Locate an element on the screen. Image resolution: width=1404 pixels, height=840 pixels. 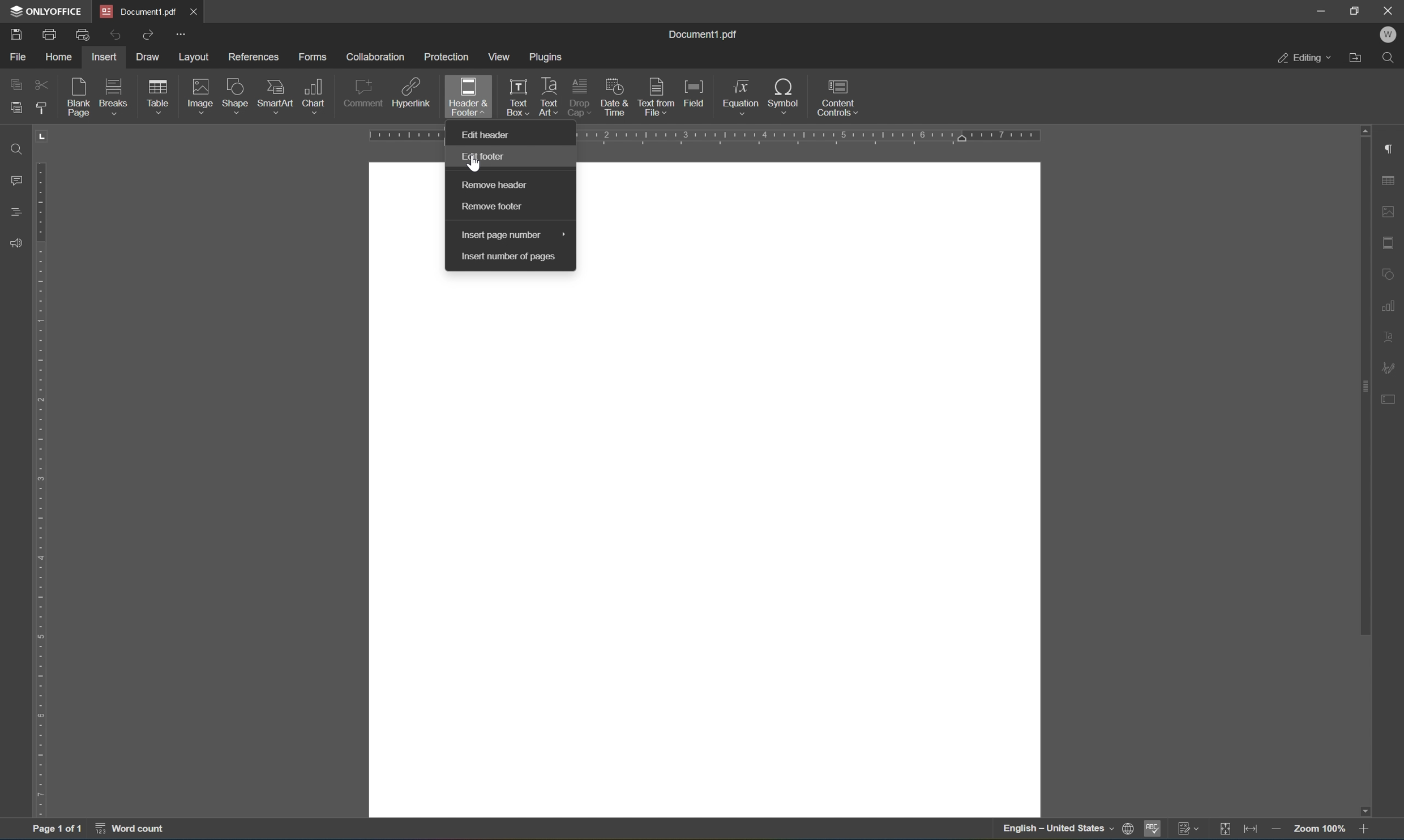
ONLYOFFICE is located at coordinates (46, 12).